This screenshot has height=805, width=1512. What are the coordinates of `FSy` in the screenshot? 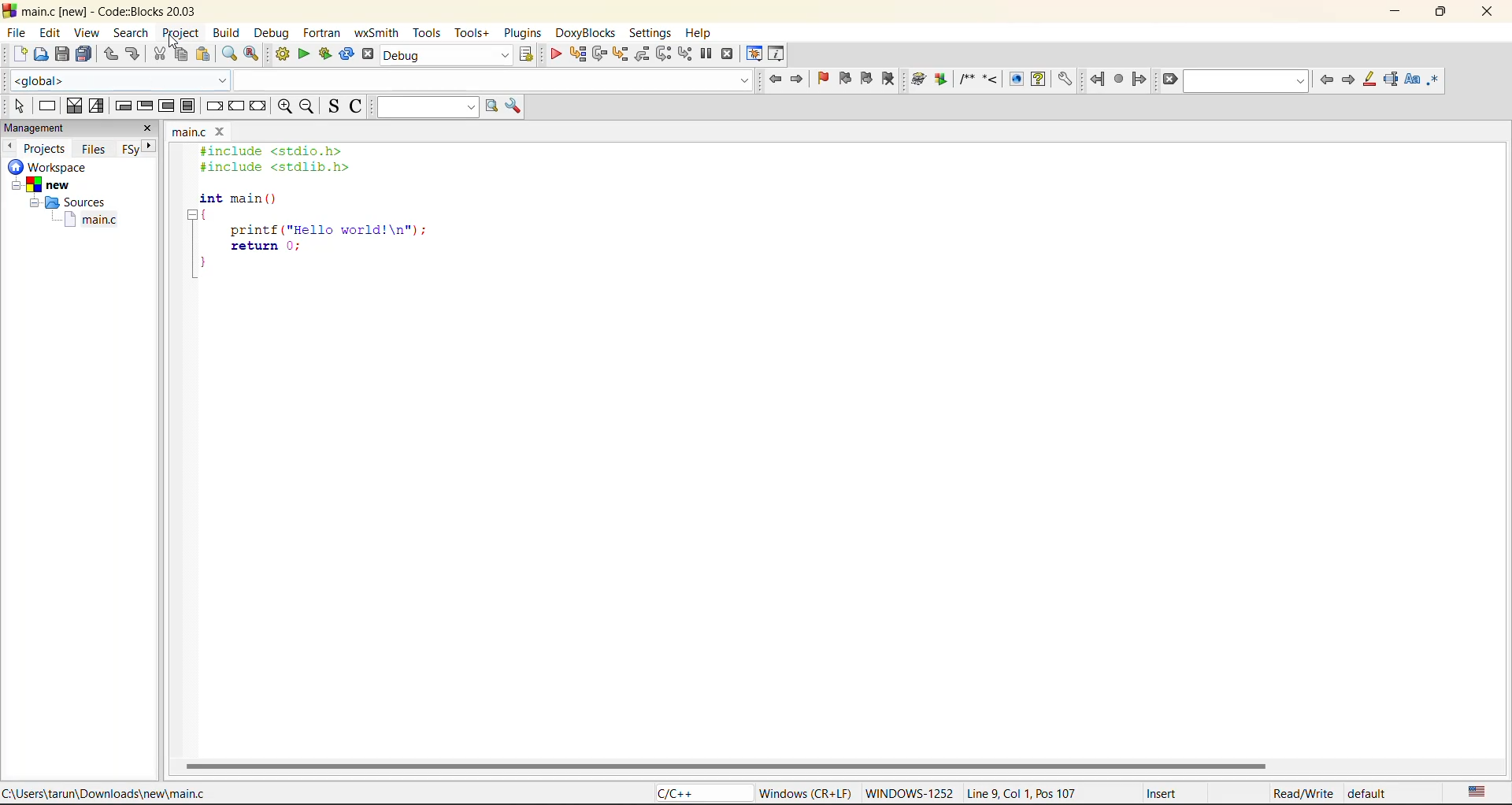 It's located at (130, 150).